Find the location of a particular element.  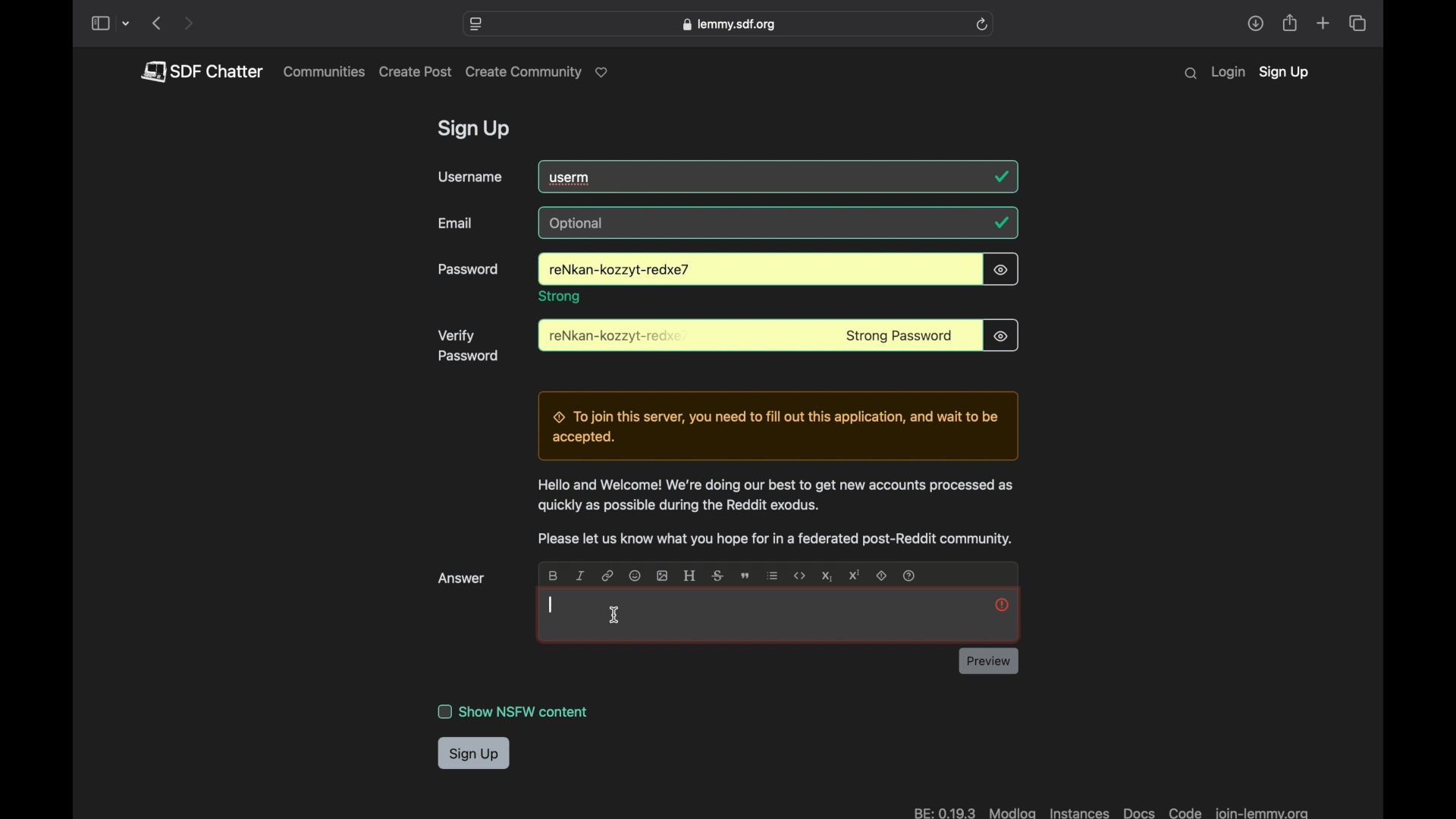

superscript is located at coordinates (854, 575).